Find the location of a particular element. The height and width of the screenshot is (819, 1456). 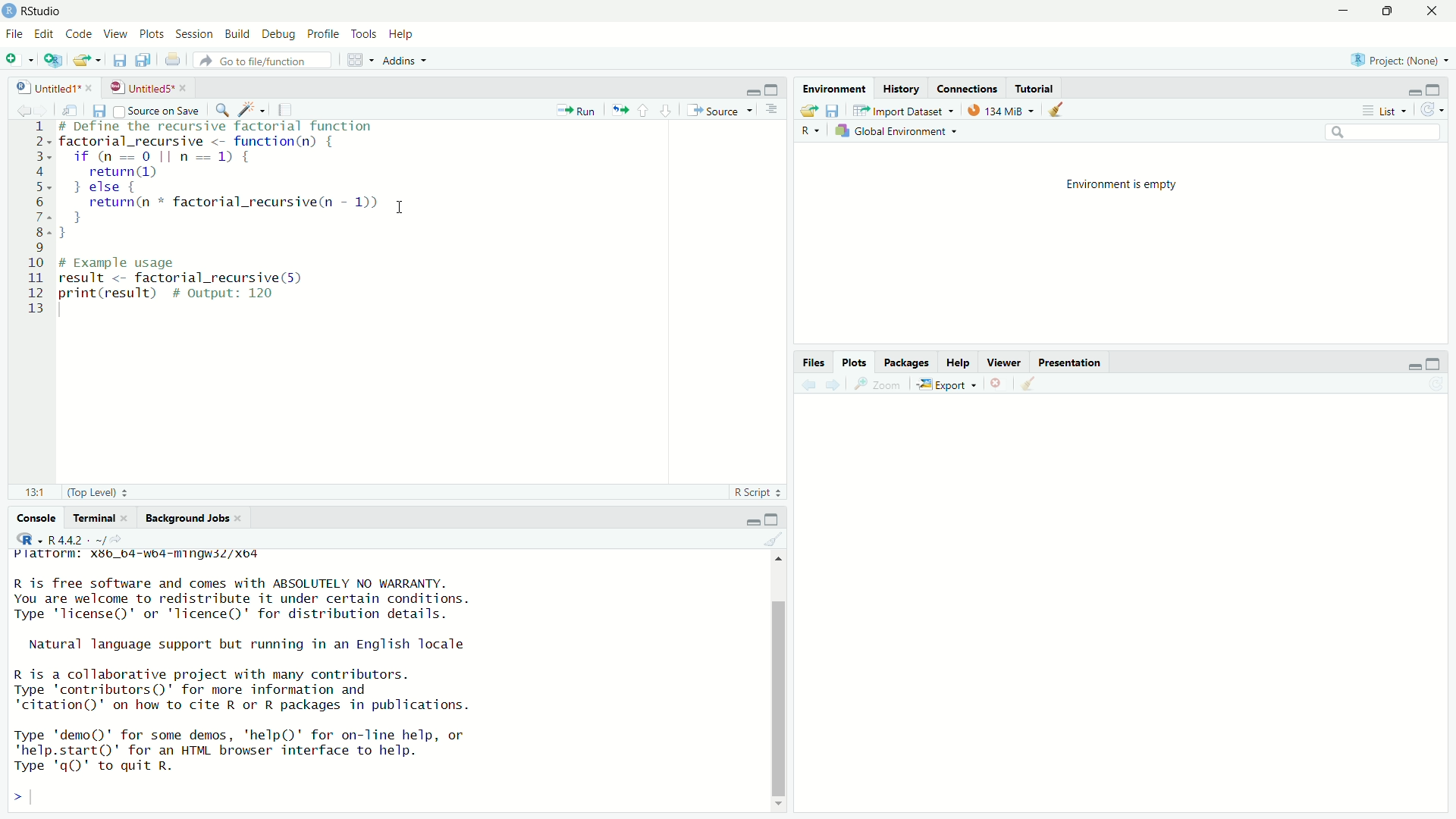

Code is located at coordinates (79, 33).